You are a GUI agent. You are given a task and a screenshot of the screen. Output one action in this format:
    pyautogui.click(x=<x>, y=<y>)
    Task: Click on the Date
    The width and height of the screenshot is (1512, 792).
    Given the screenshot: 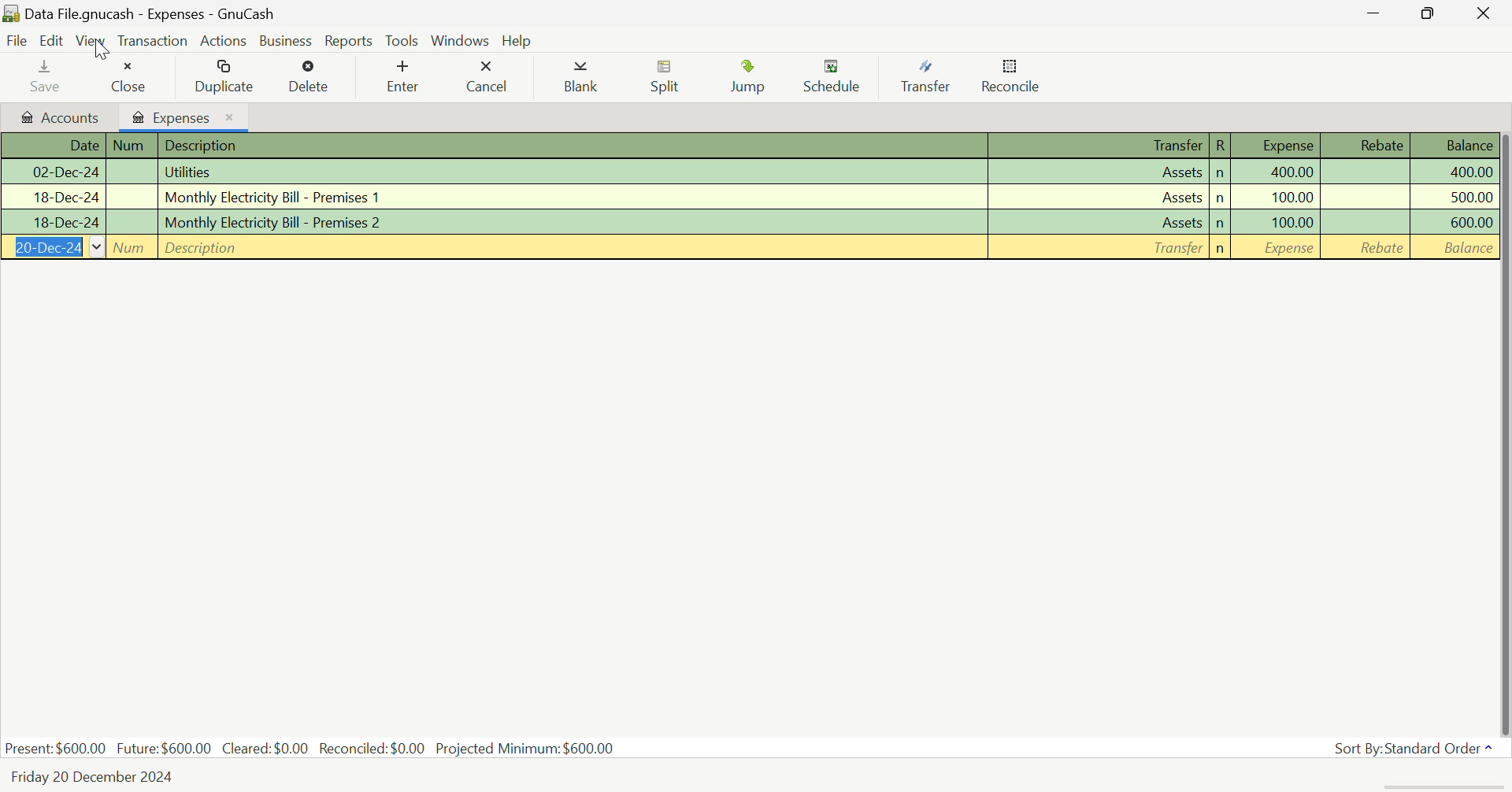 What is the action you would take?
    pyautogui.click(x=49, y=198)
    